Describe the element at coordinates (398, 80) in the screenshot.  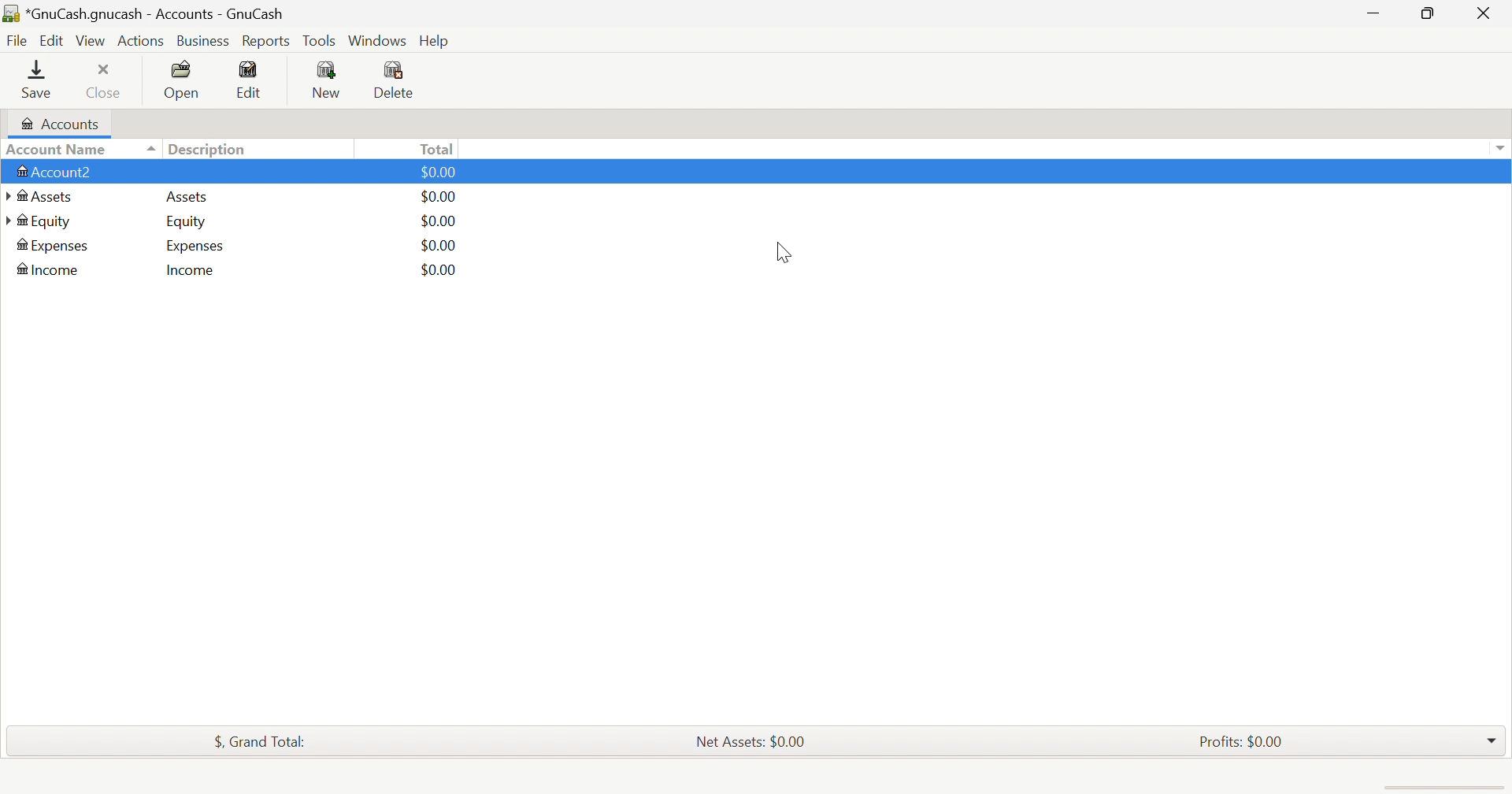
I see `Delete` at that location.